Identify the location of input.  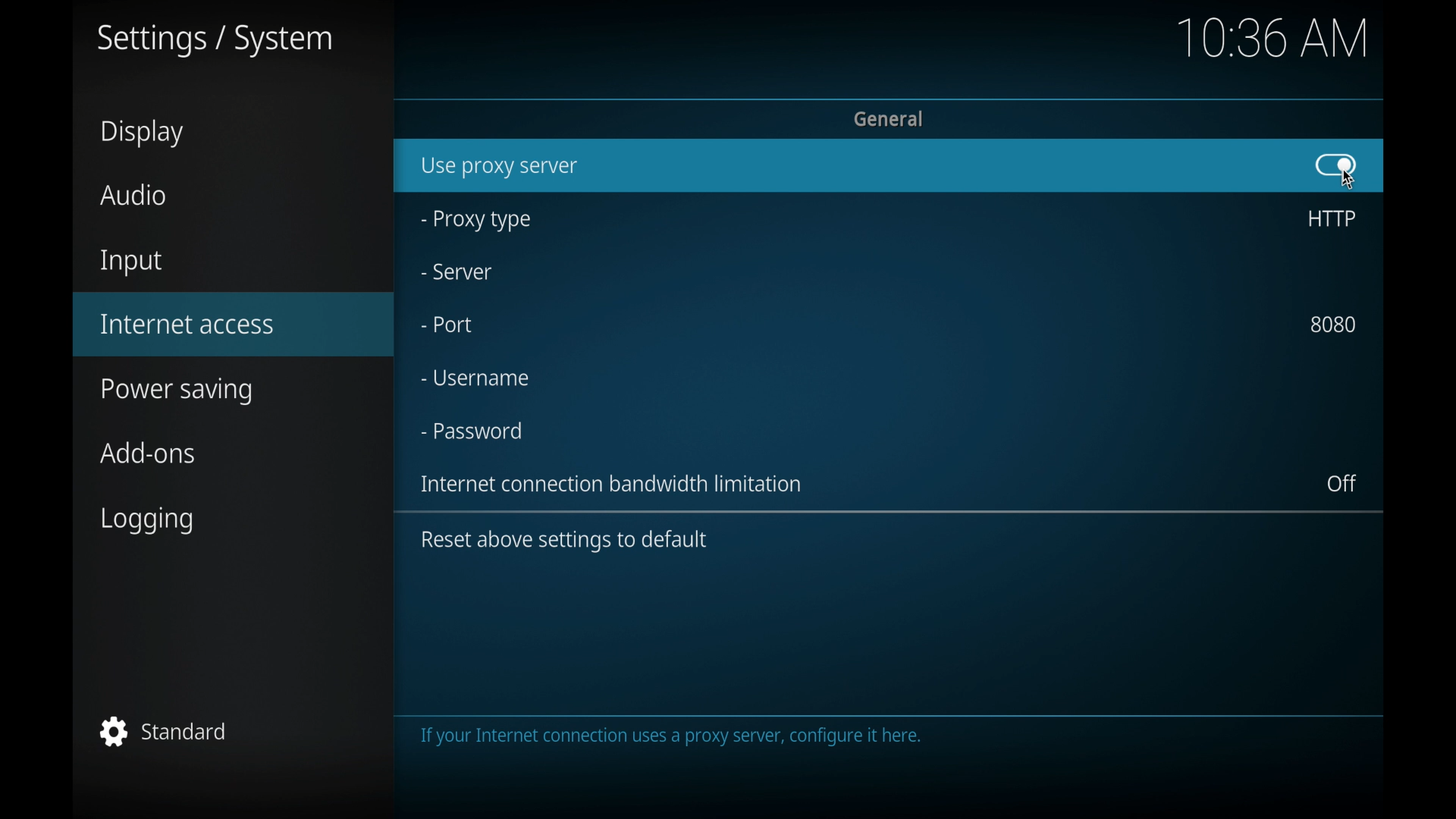
(131, 263).